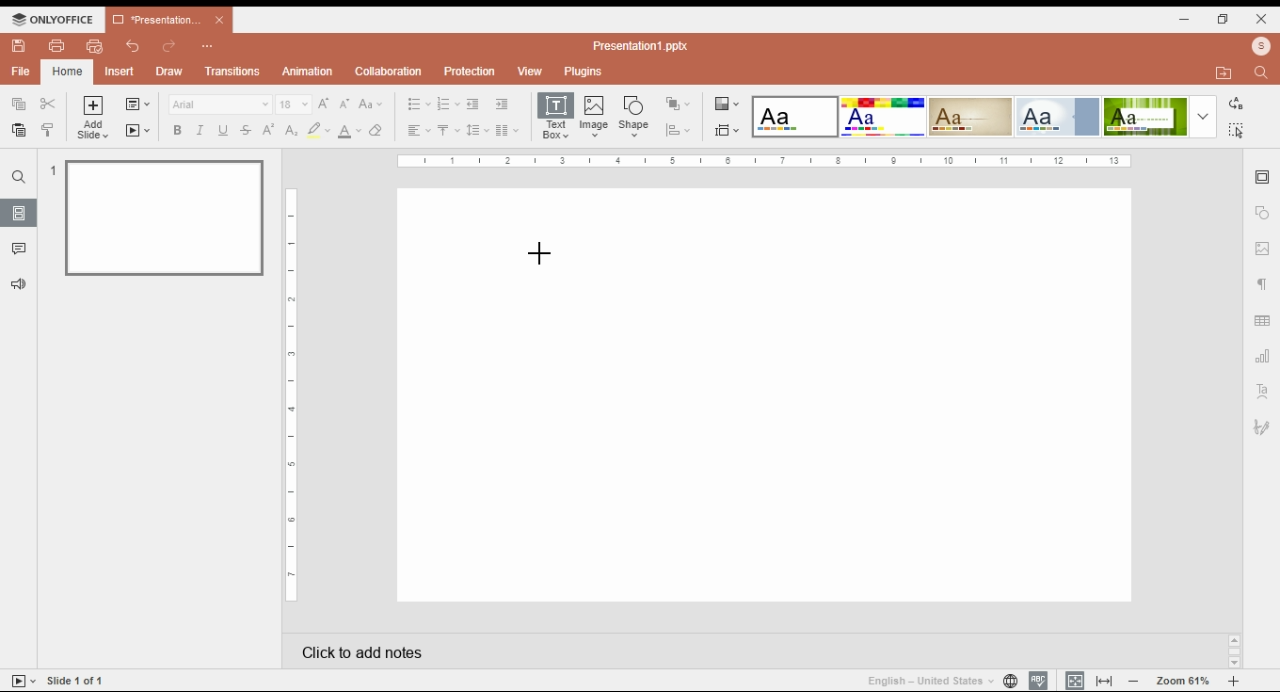 Image resolution: width=1280 pixels, height=692 pixels. What do you see at coordinates (479, 130) in the screenshot?
I see `line spacing` at bounding box center [479, 130].